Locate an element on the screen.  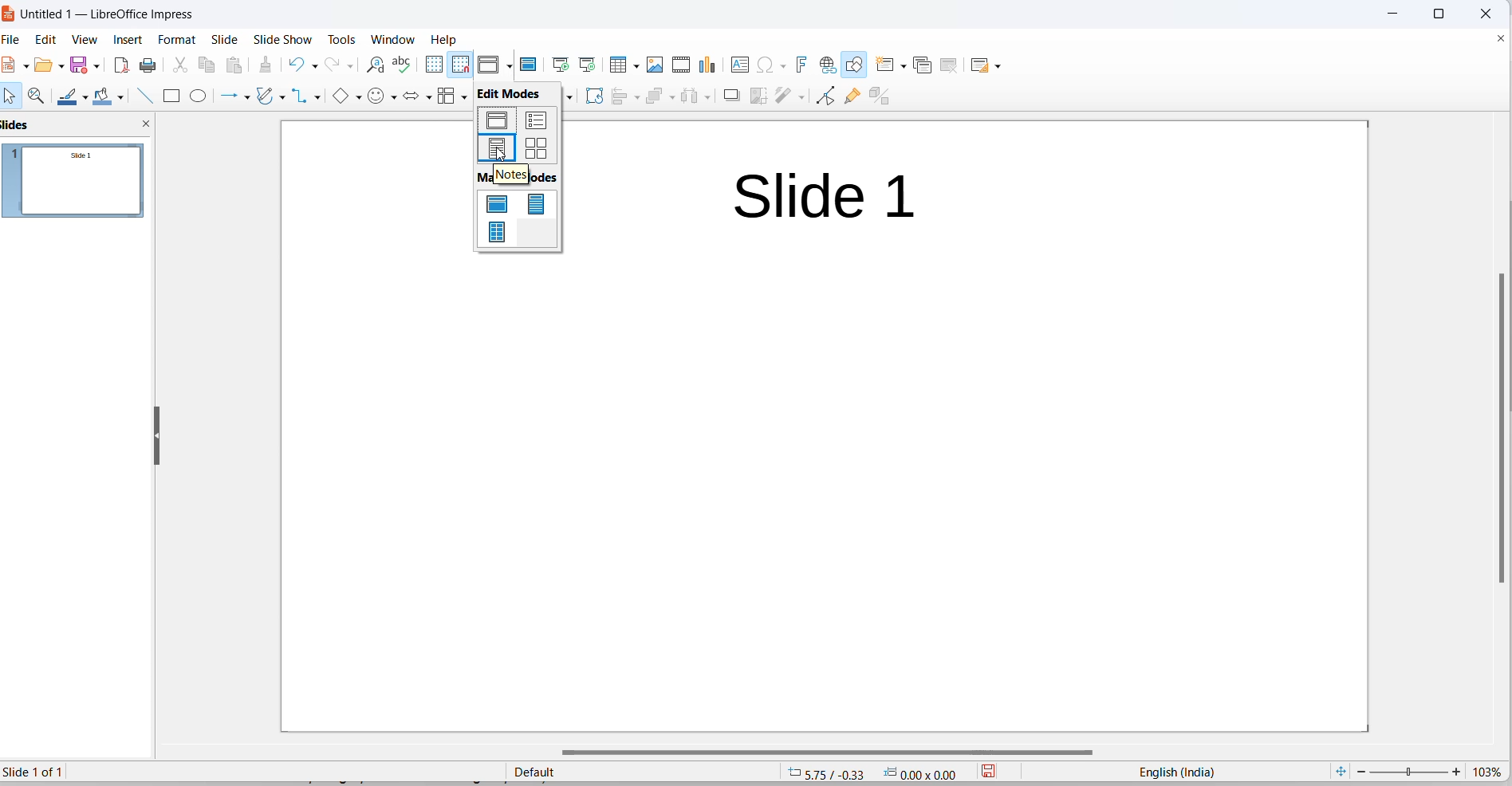
tools is located at coordinates (344, 39).